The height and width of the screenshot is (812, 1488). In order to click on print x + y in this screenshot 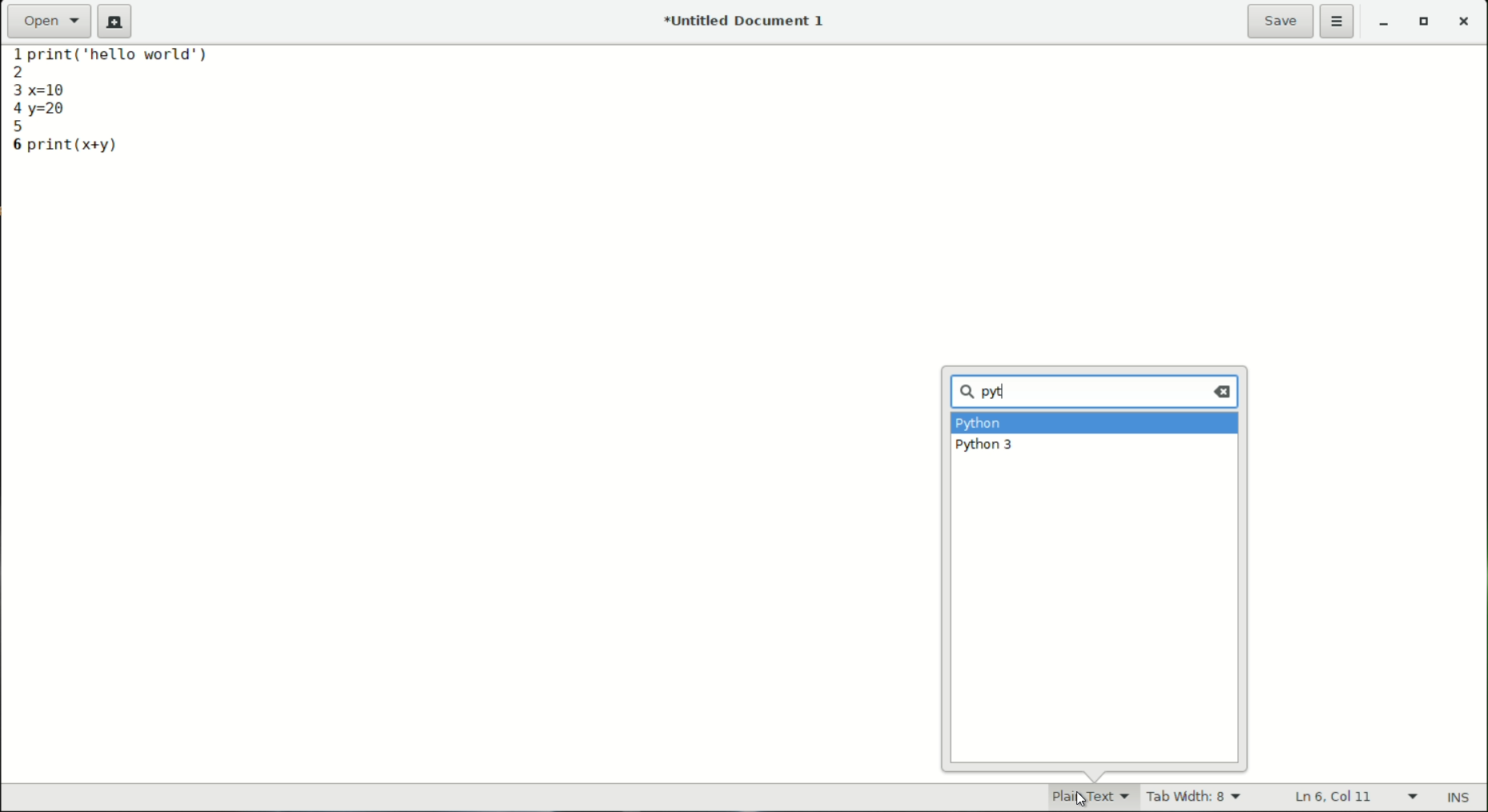, I will do `click(75, 145)`.